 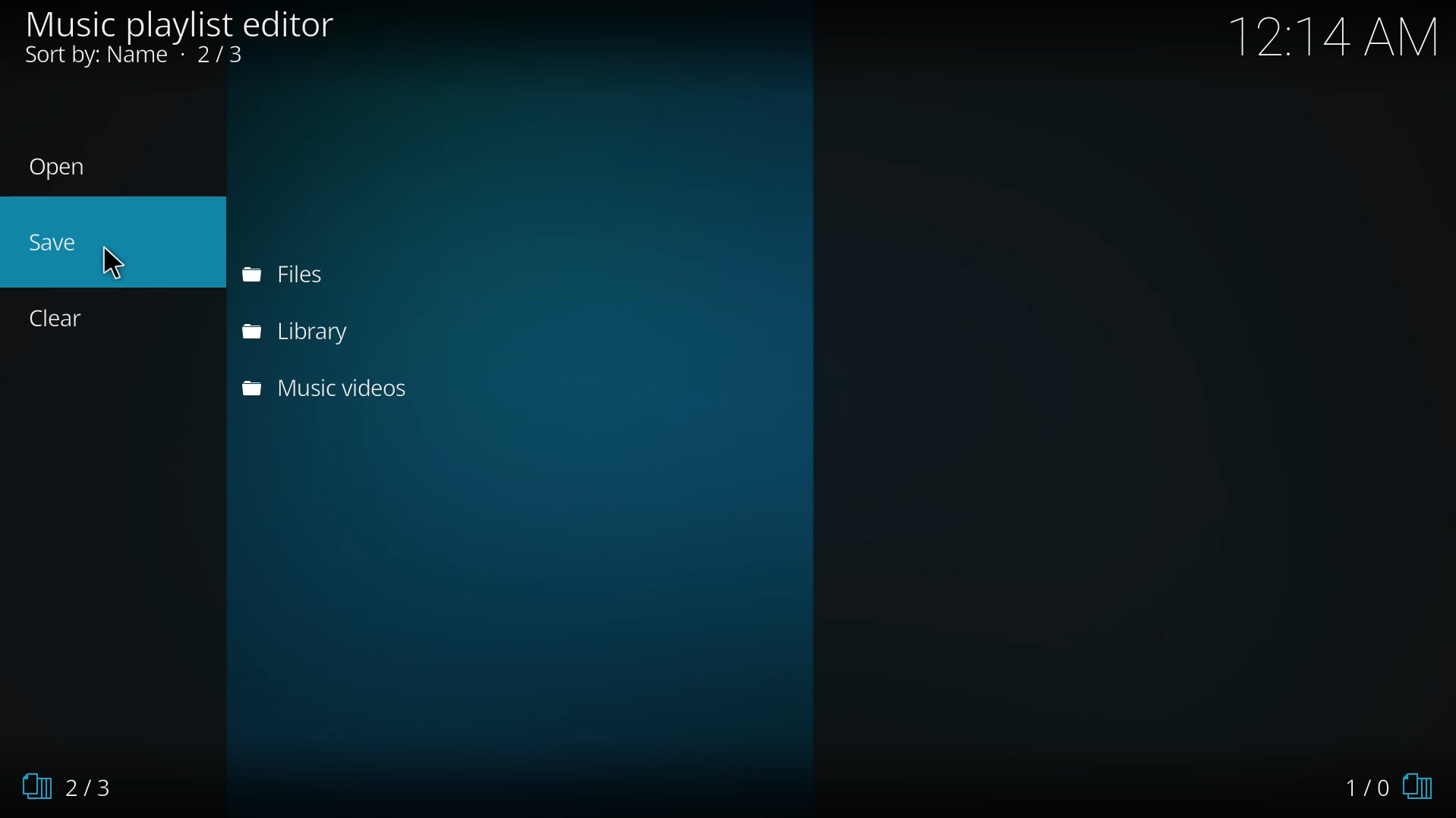 What do you see at coordinates (1392, 787) in the screenshot?
I see `1/0` at bounding box center [1392, 787].